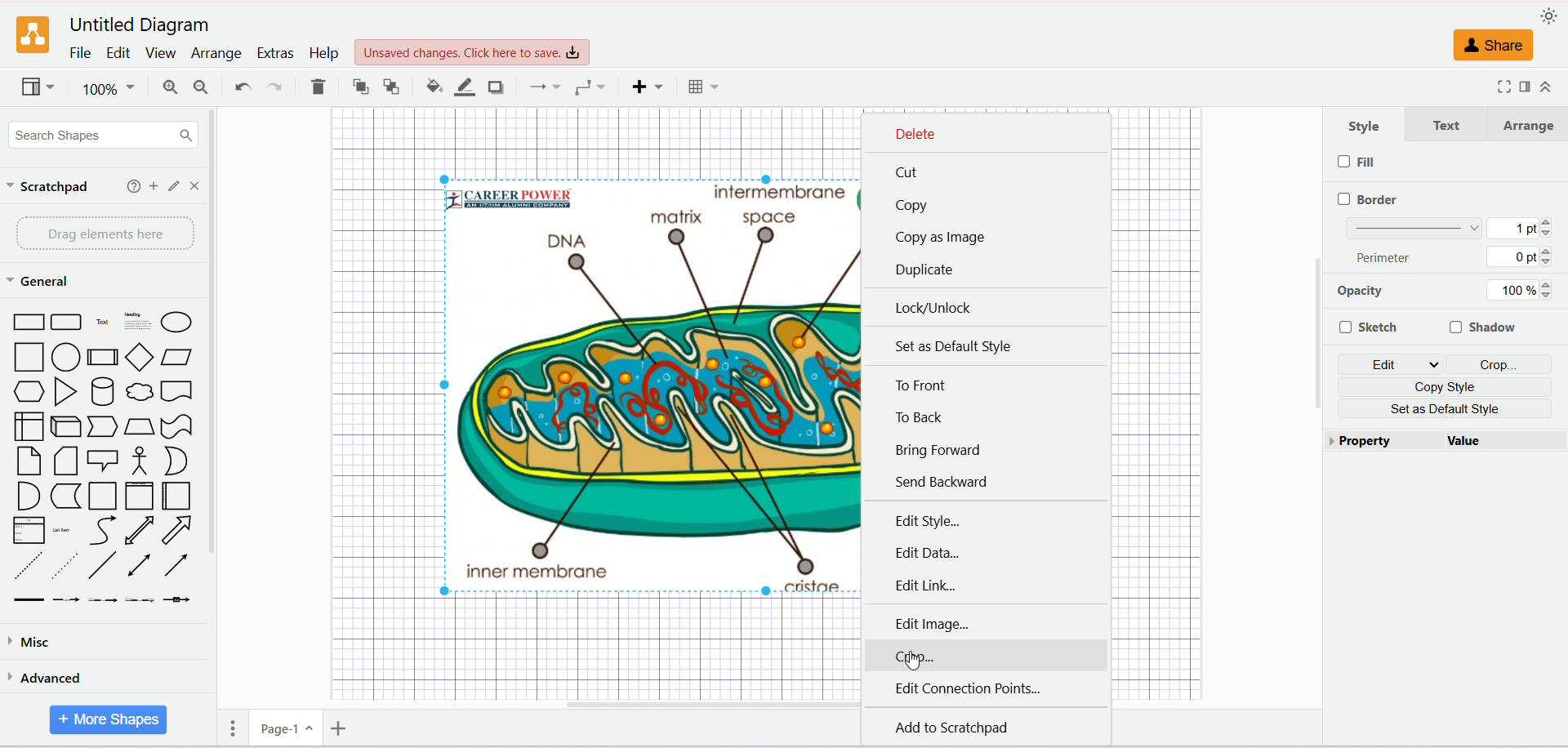 The image size is (1568, 748). Describe the element at coordinates (65, 394) in the screenshot. I see `Triangle` at that location.